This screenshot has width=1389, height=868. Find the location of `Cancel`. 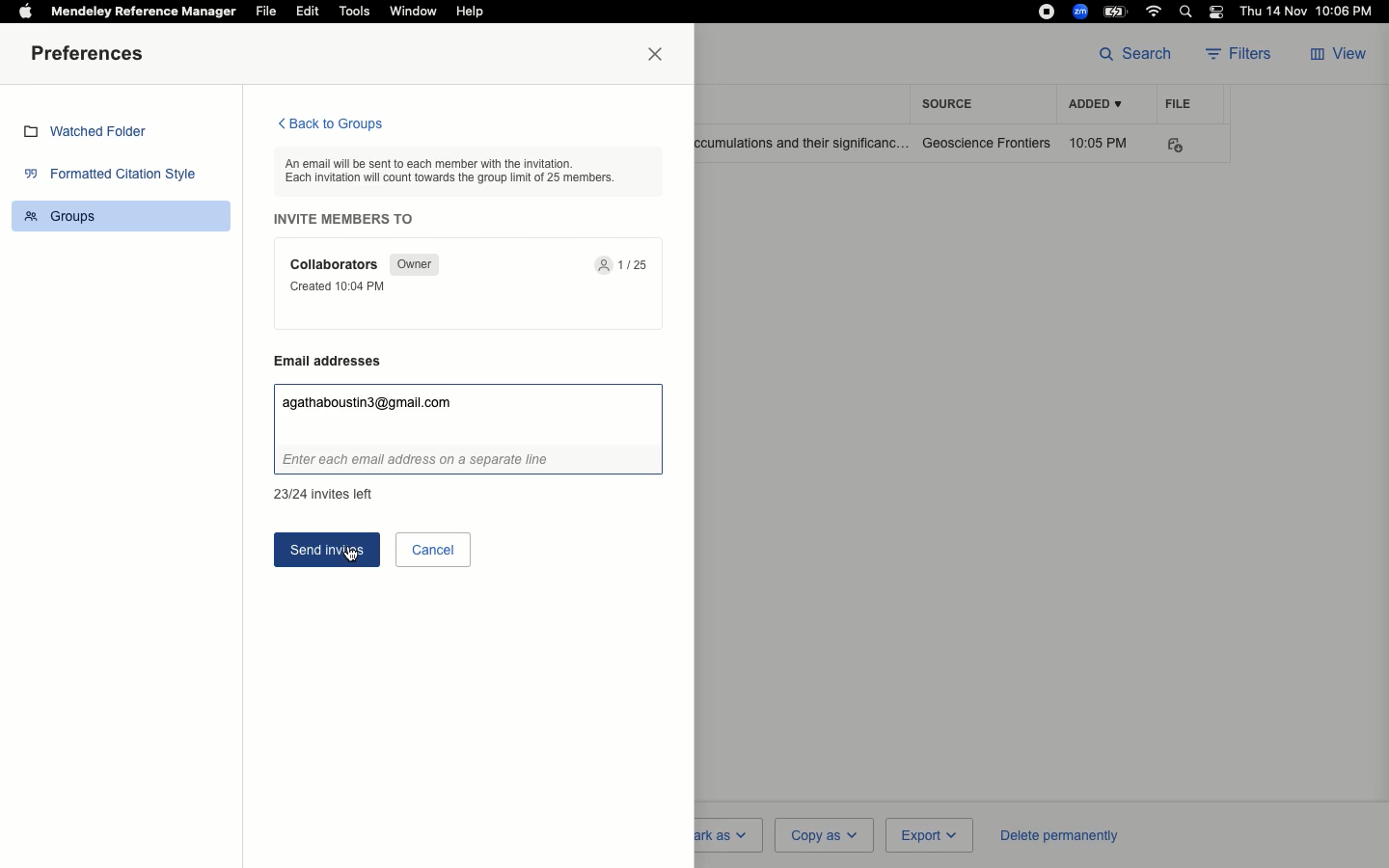

Cancel is located at coordinates (433, 549).